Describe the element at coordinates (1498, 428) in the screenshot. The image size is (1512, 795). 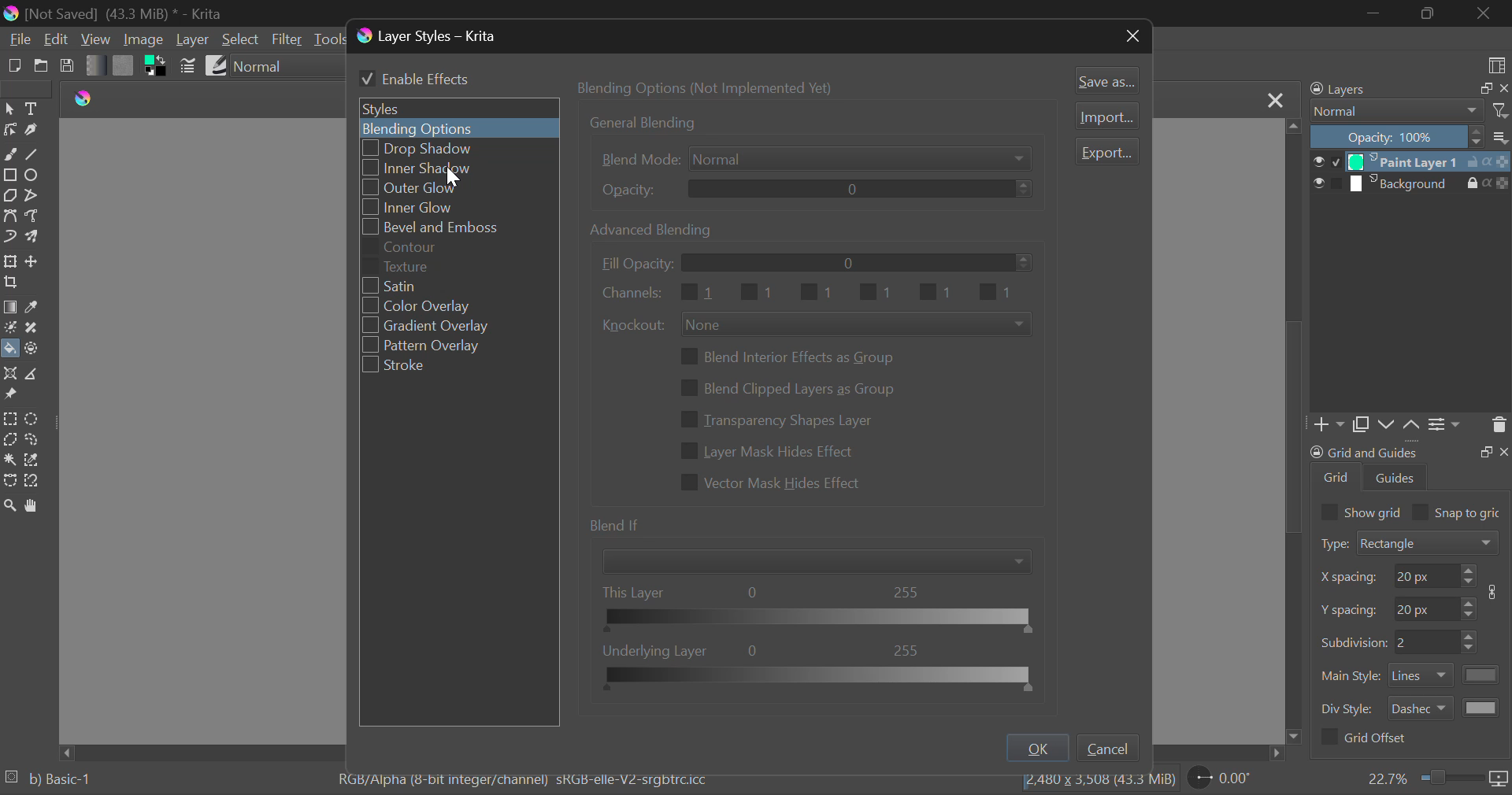
I see `Delete Layer` at that location.